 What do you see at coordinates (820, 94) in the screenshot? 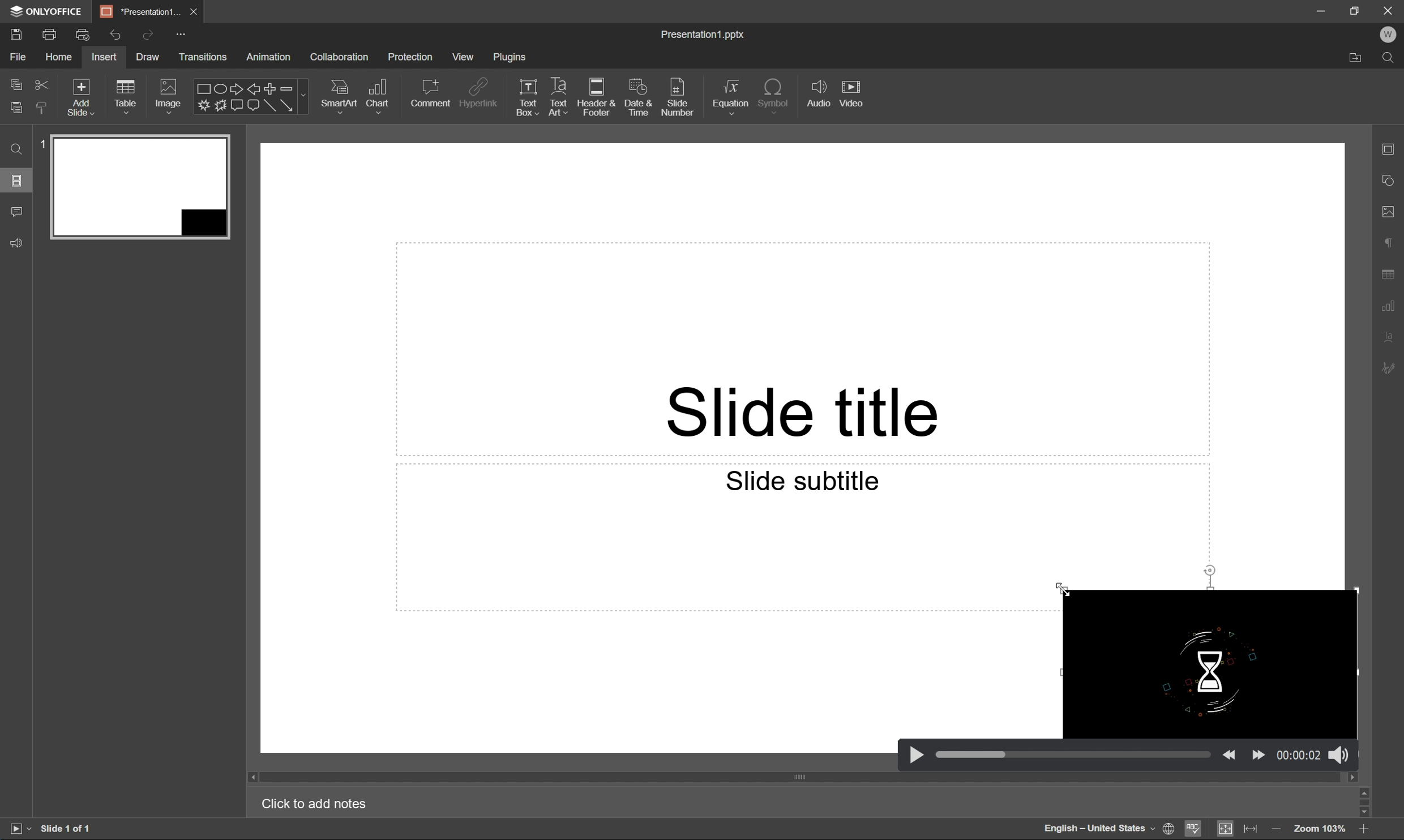
I see `audio` at bounding box center [820, 94].